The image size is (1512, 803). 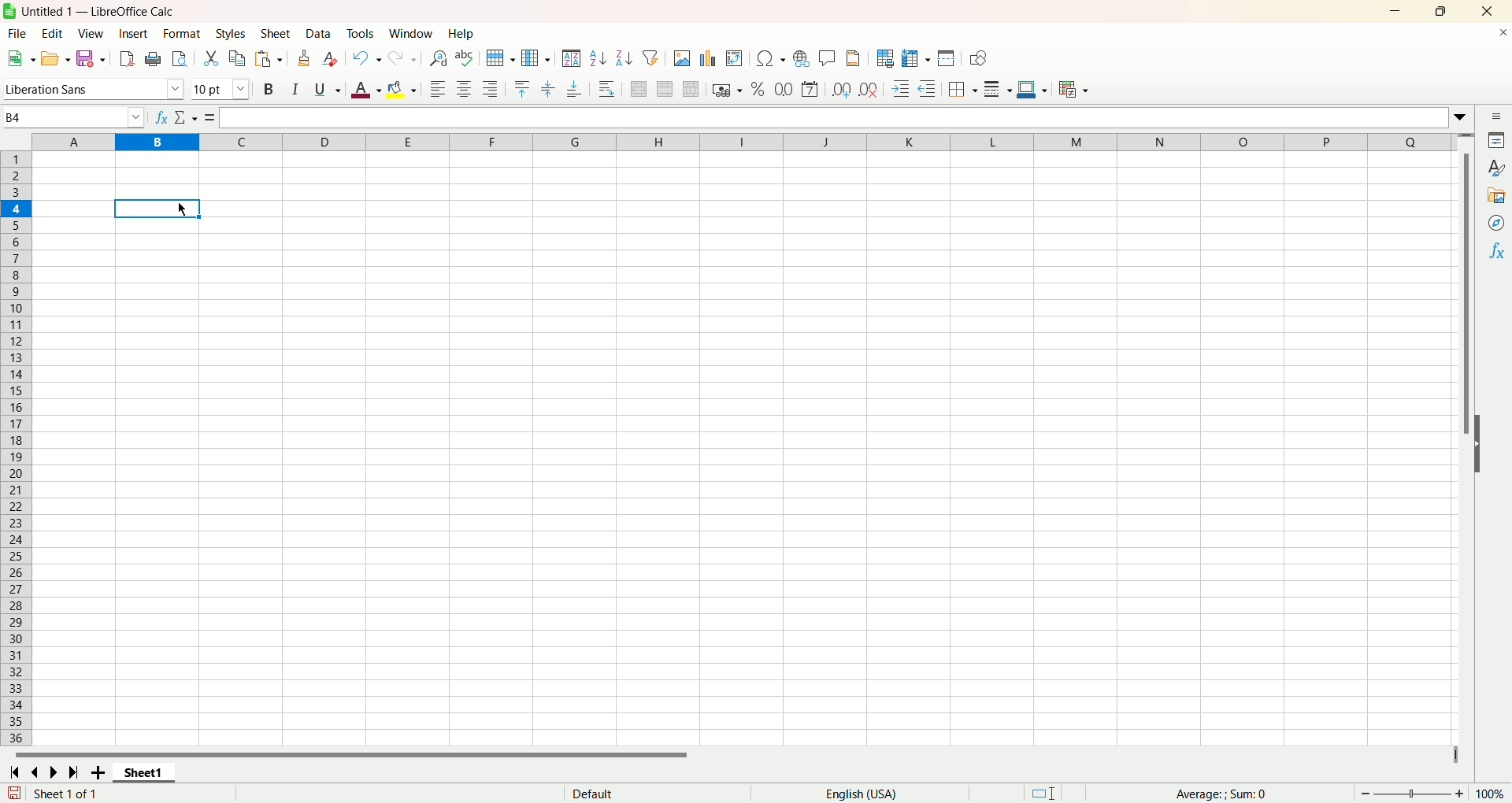 What do you see at coordinates (598, 60) in the screenshot?
I see `sort ascending` at bounding box center [598, 60].